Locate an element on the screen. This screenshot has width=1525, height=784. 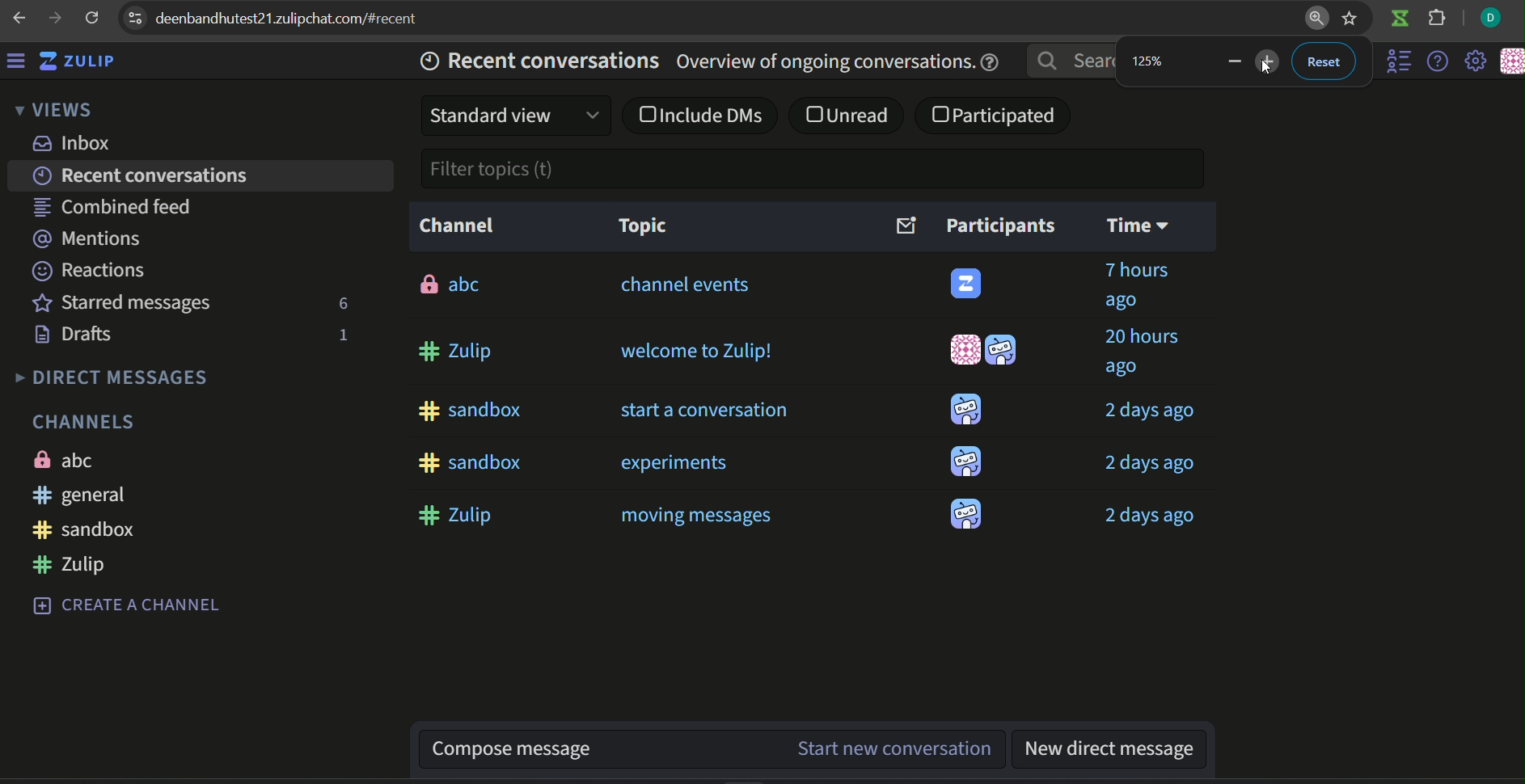
start a conversation is located at coordinates (703, 409).